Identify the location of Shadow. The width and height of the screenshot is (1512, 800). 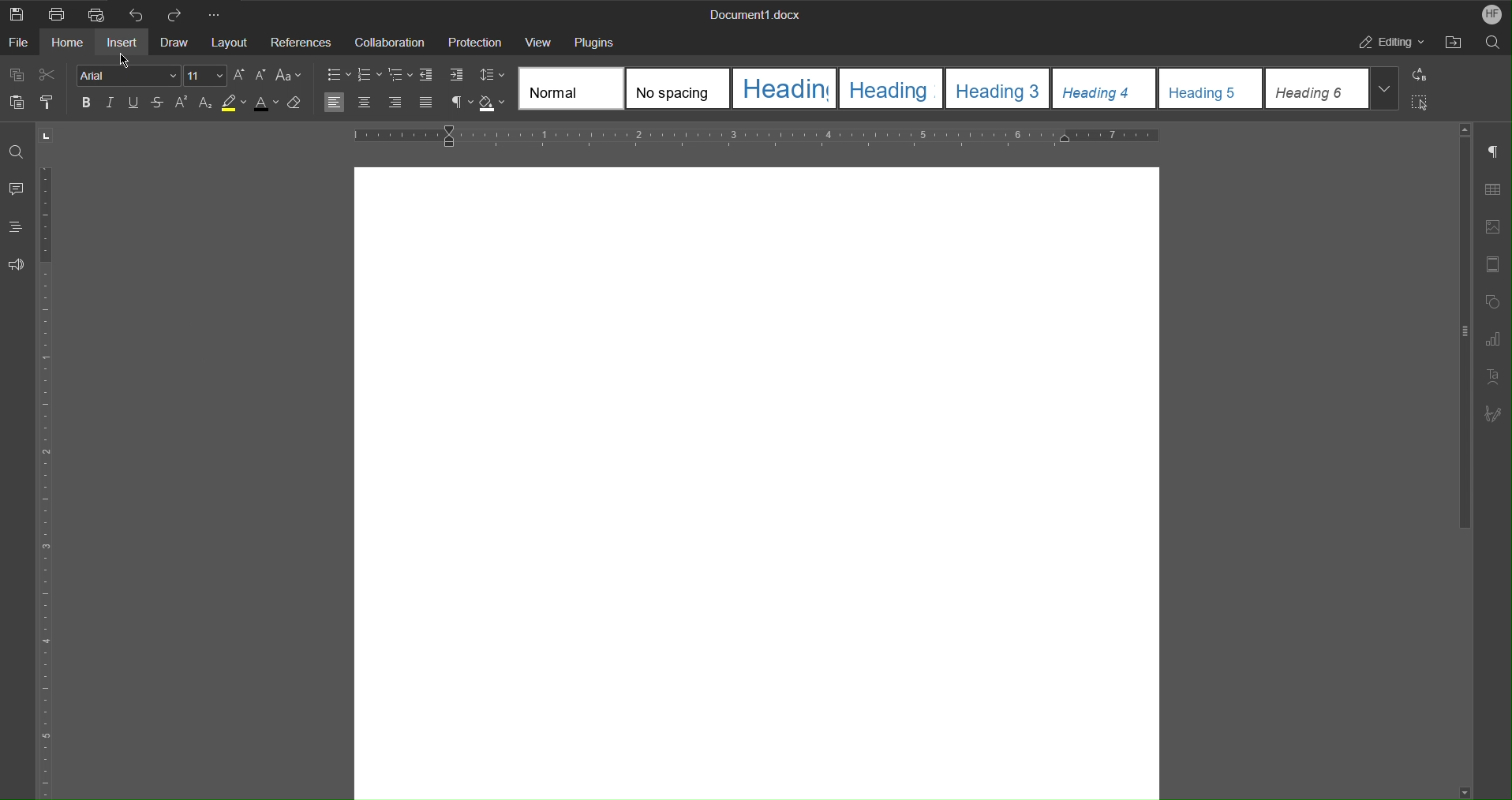
(492, 104).